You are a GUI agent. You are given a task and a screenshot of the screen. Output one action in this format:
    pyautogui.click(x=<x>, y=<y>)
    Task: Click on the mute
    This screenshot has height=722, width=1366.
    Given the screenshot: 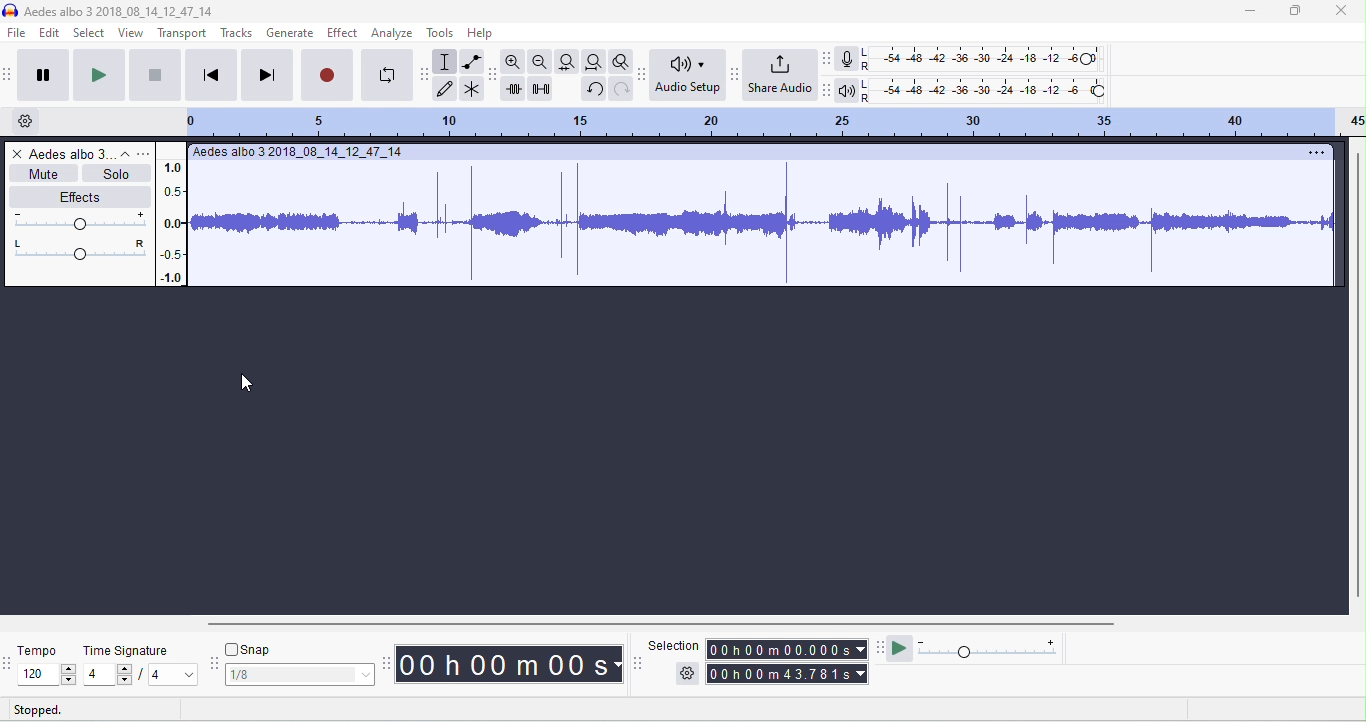 What is the action you would take?
    pyautogui.click(x=40, y=175)
    